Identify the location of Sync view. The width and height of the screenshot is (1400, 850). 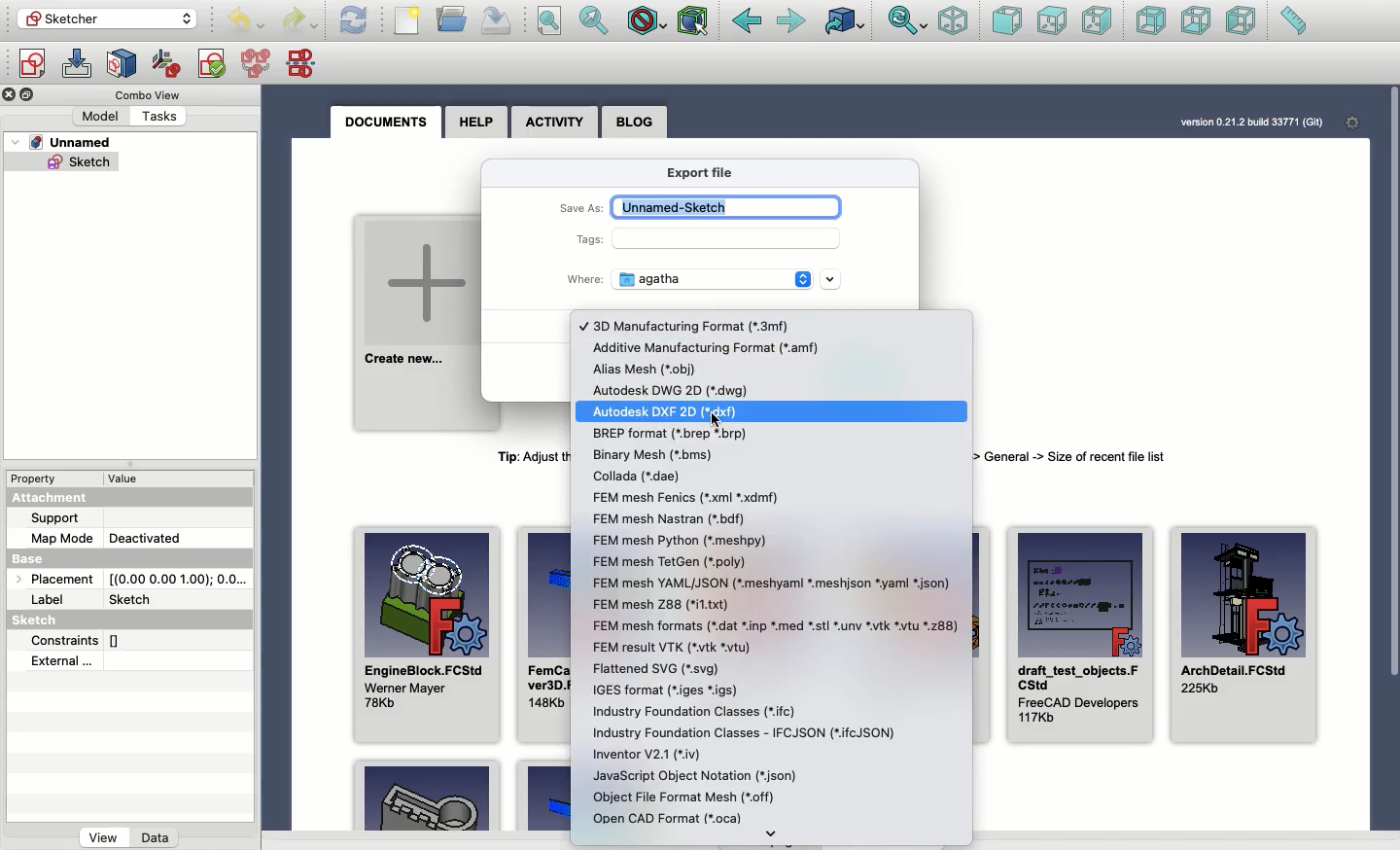
(906, 21).